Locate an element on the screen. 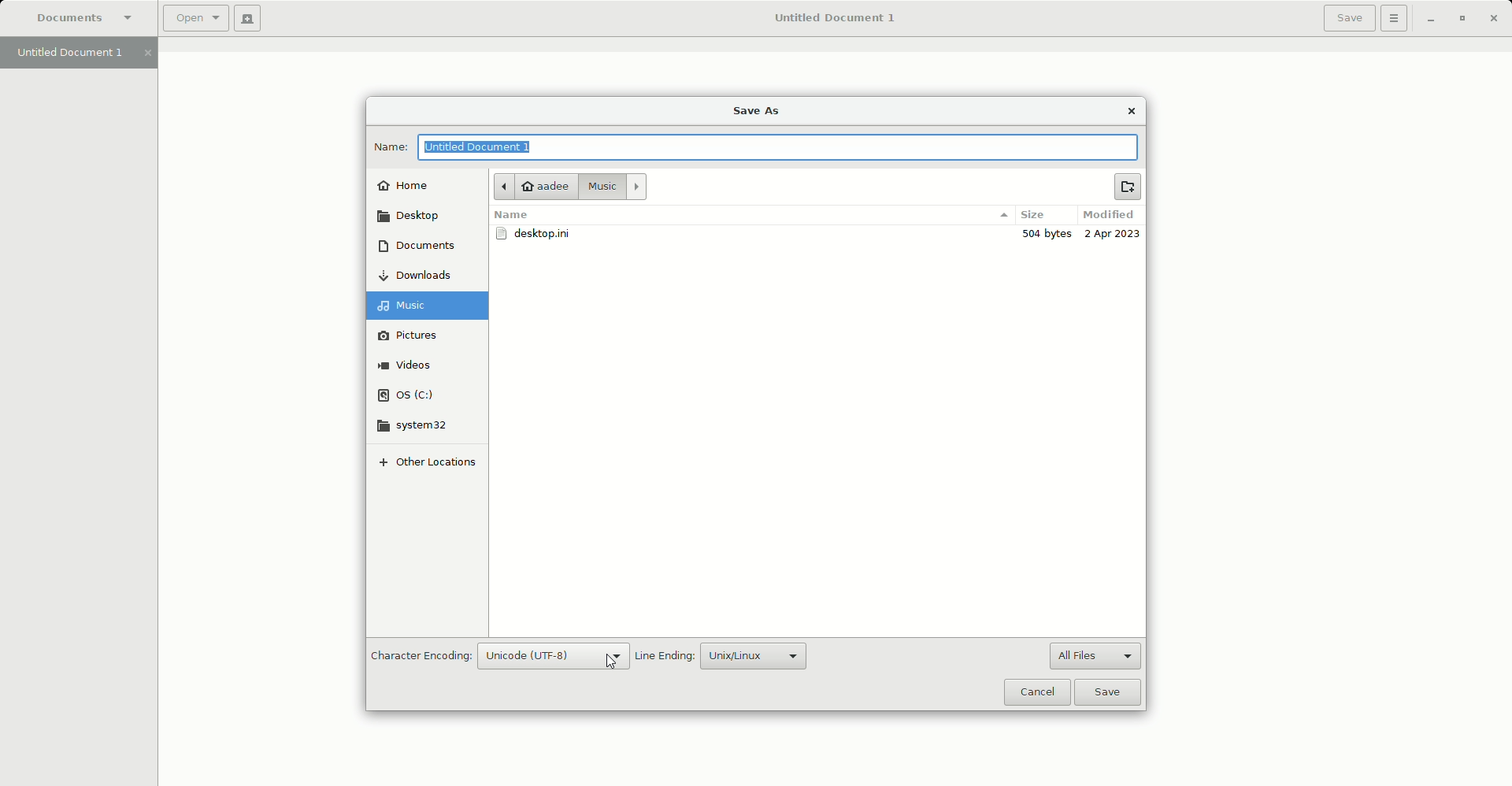 The width and height of the screenshot is (1512, 786). Pictures is located at coordinates (428, 337).